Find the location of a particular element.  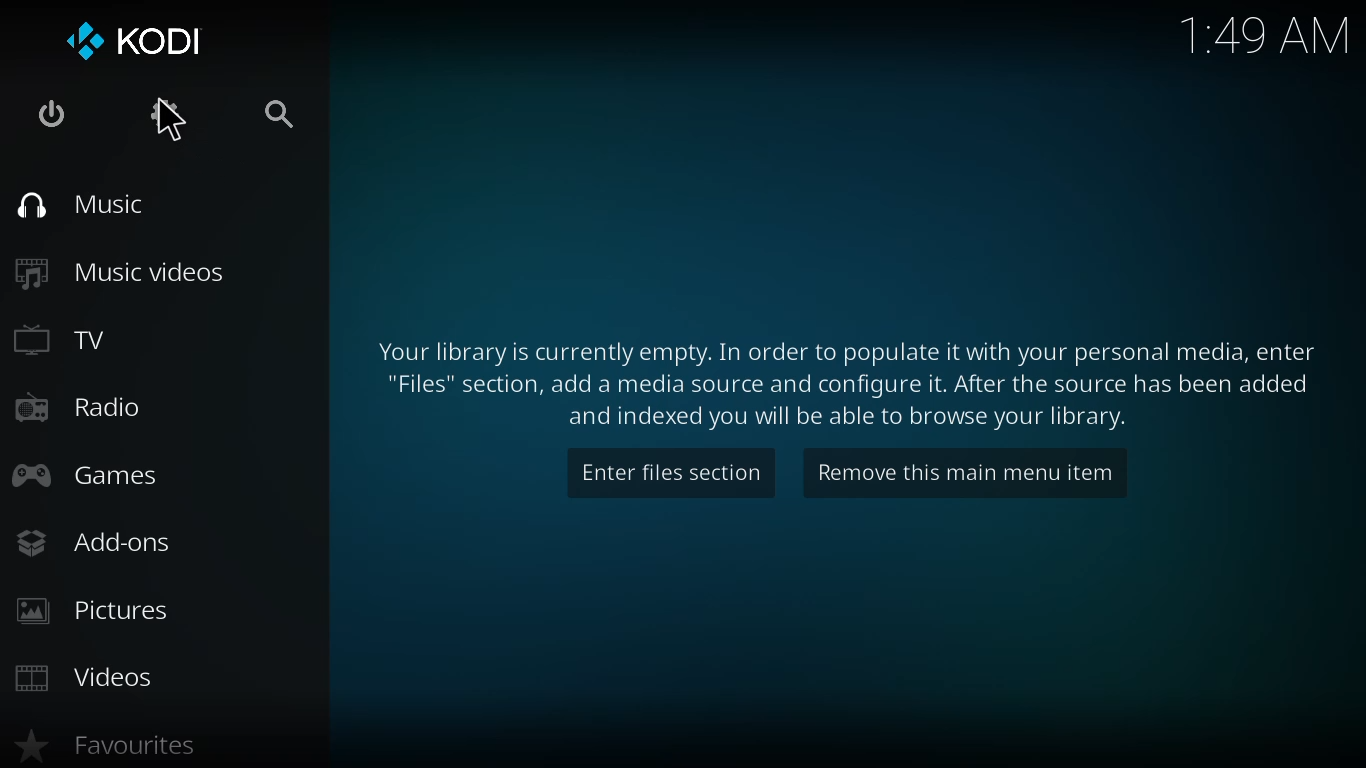

enter files section is located at coordinates (668, 470).